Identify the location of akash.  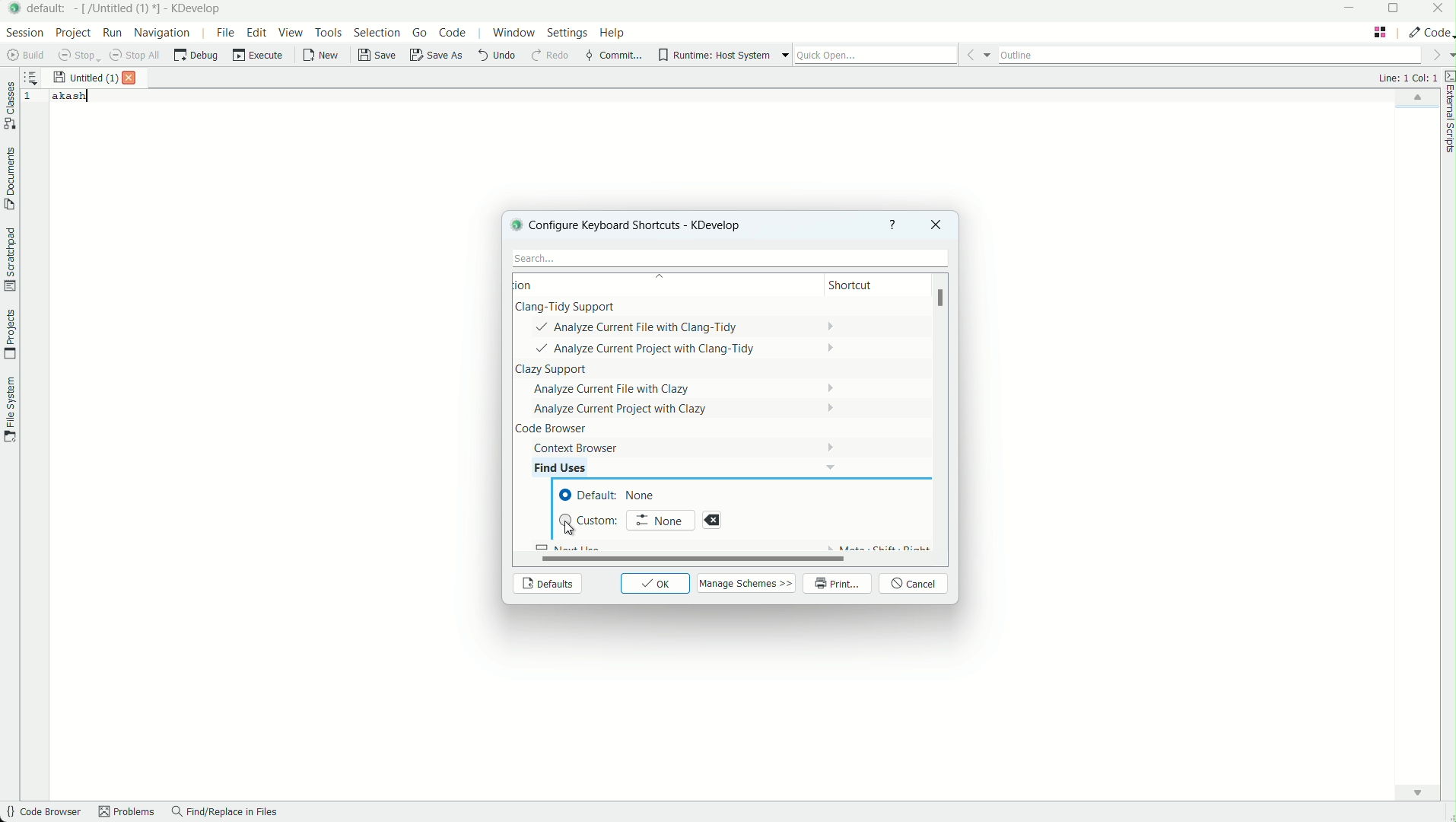
(71, 96).